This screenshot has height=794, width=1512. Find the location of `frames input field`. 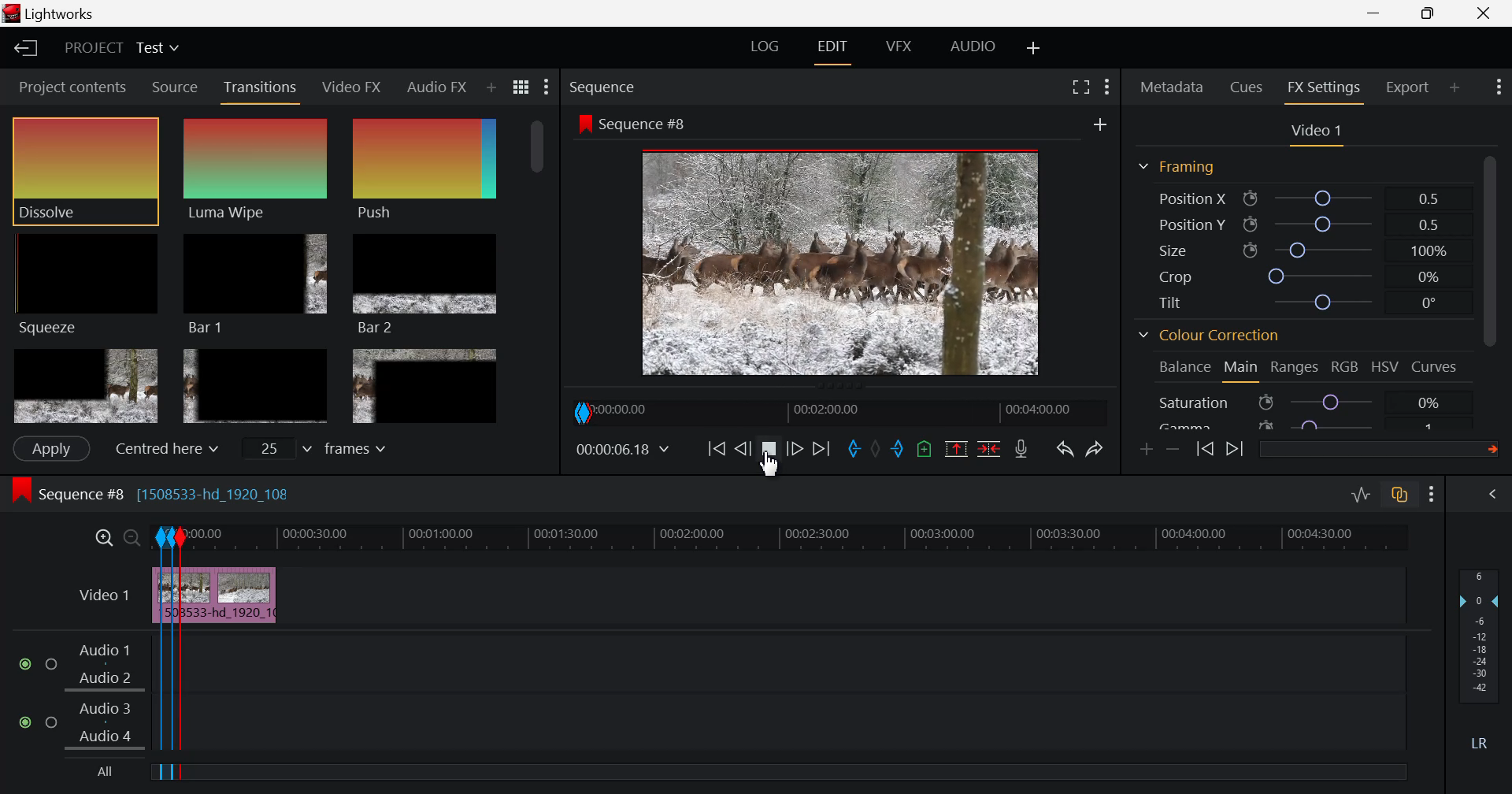

frames input field is located at coordinates (329, 447).